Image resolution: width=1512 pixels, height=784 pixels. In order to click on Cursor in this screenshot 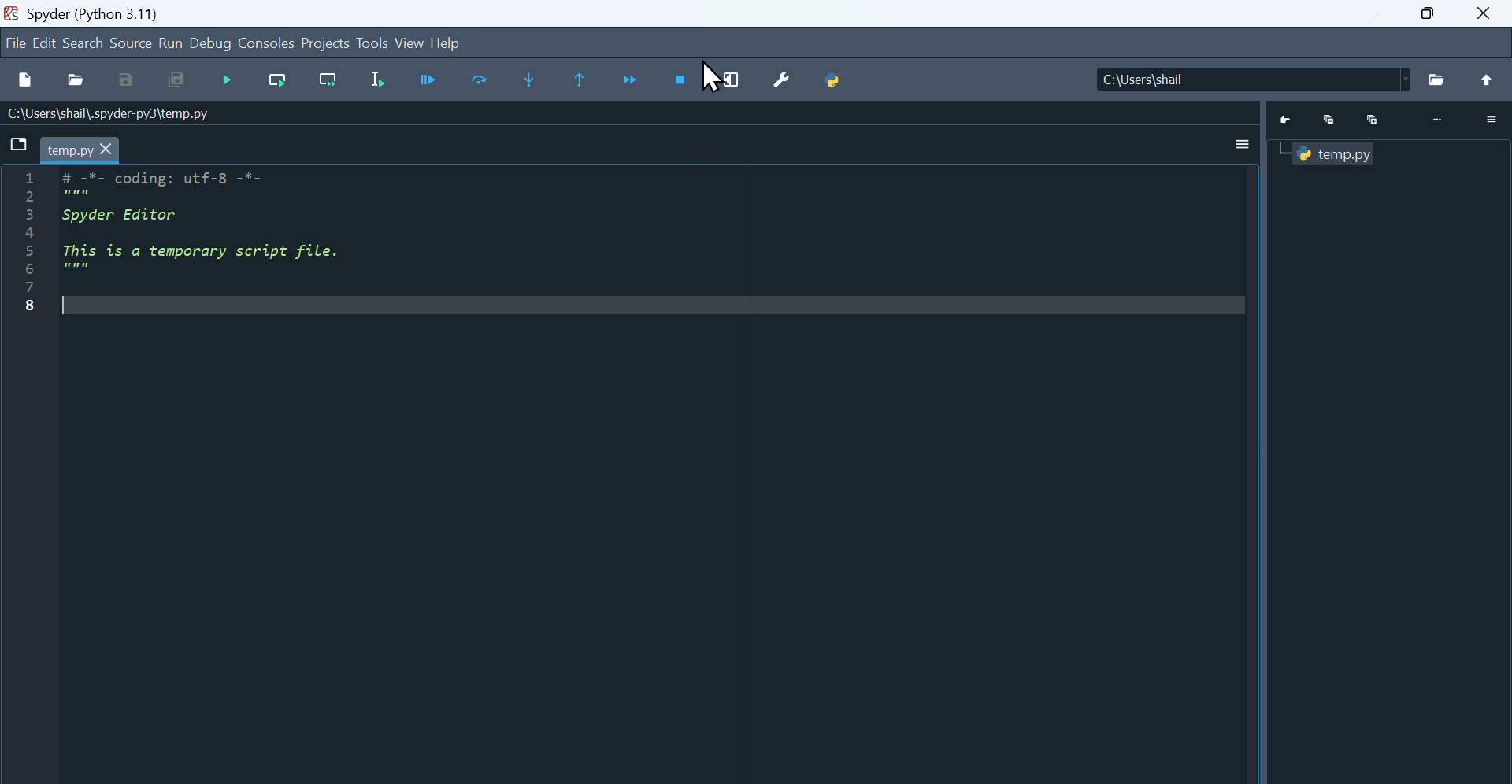, I will do `click(714, 81)`.